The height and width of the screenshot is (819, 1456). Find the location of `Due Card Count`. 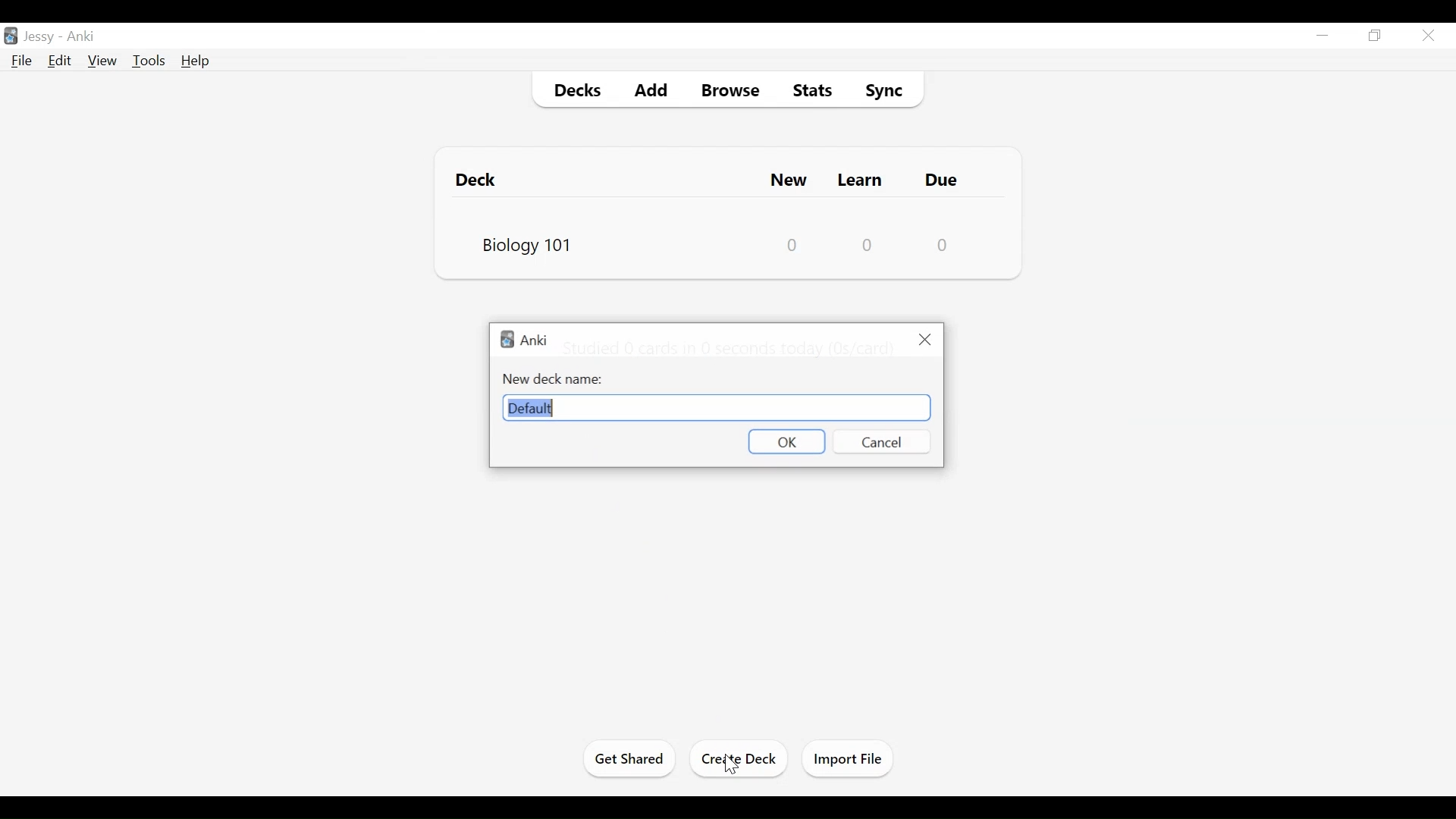

Due Card Count is located at coordinates (943, 244).